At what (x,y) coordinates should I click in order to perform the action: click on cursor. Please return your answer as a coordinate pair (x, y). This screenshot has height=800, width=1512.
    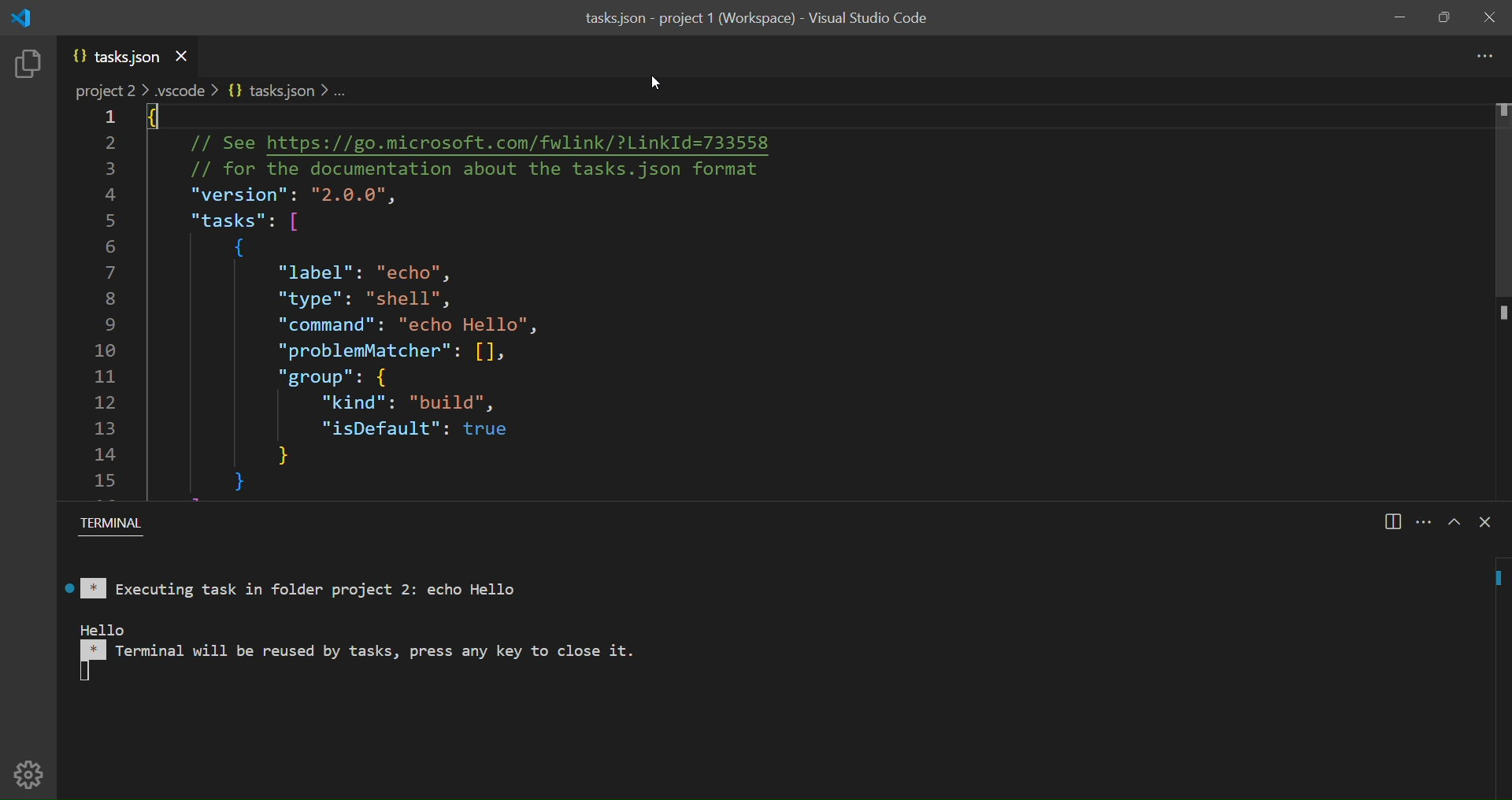
    Looking at the image, I should click on (654, 82).